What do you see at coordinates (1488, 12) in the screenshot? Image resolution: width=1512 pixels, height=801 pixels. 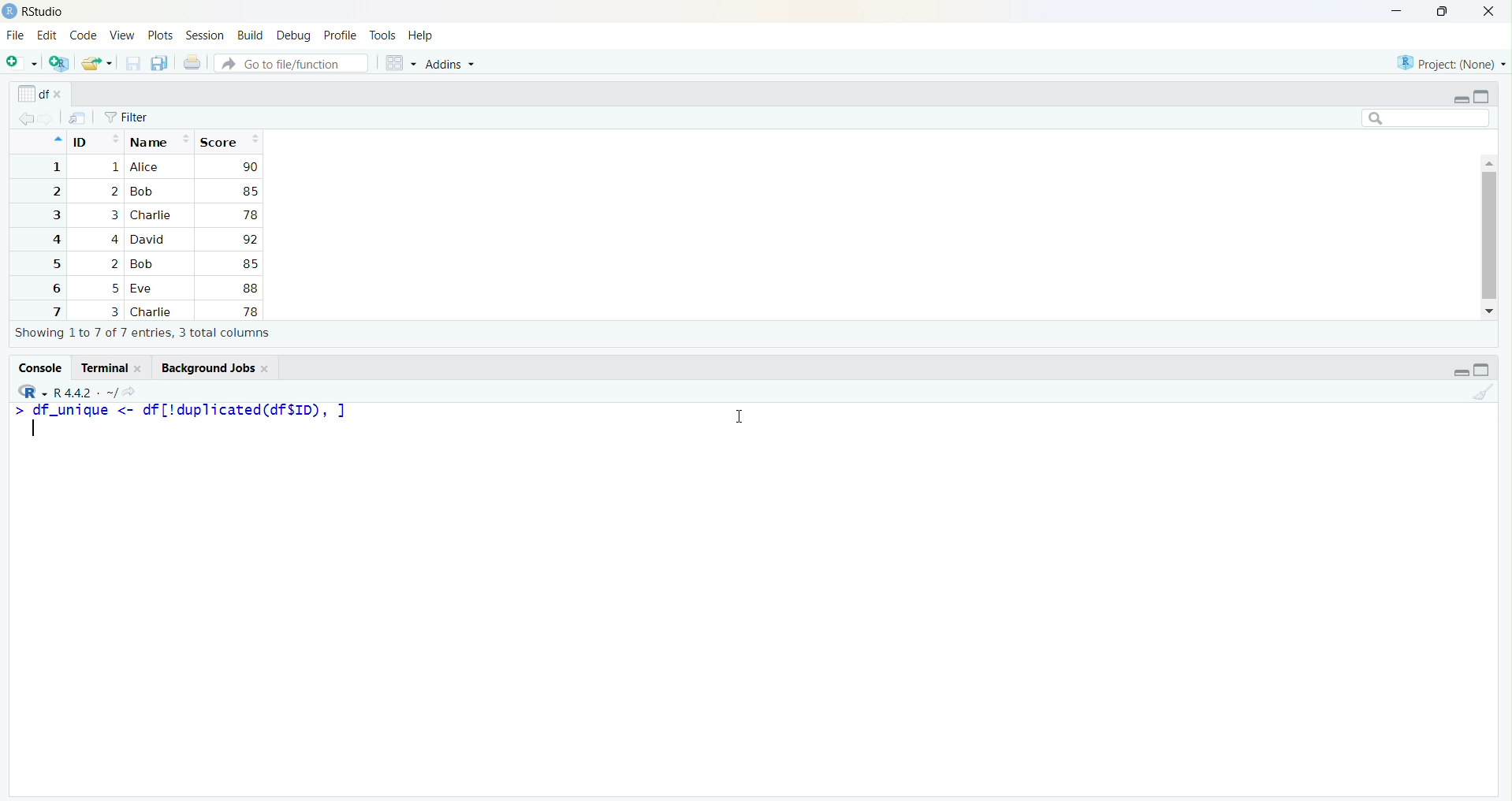 I see `close` at bounding box center [1488, 12].